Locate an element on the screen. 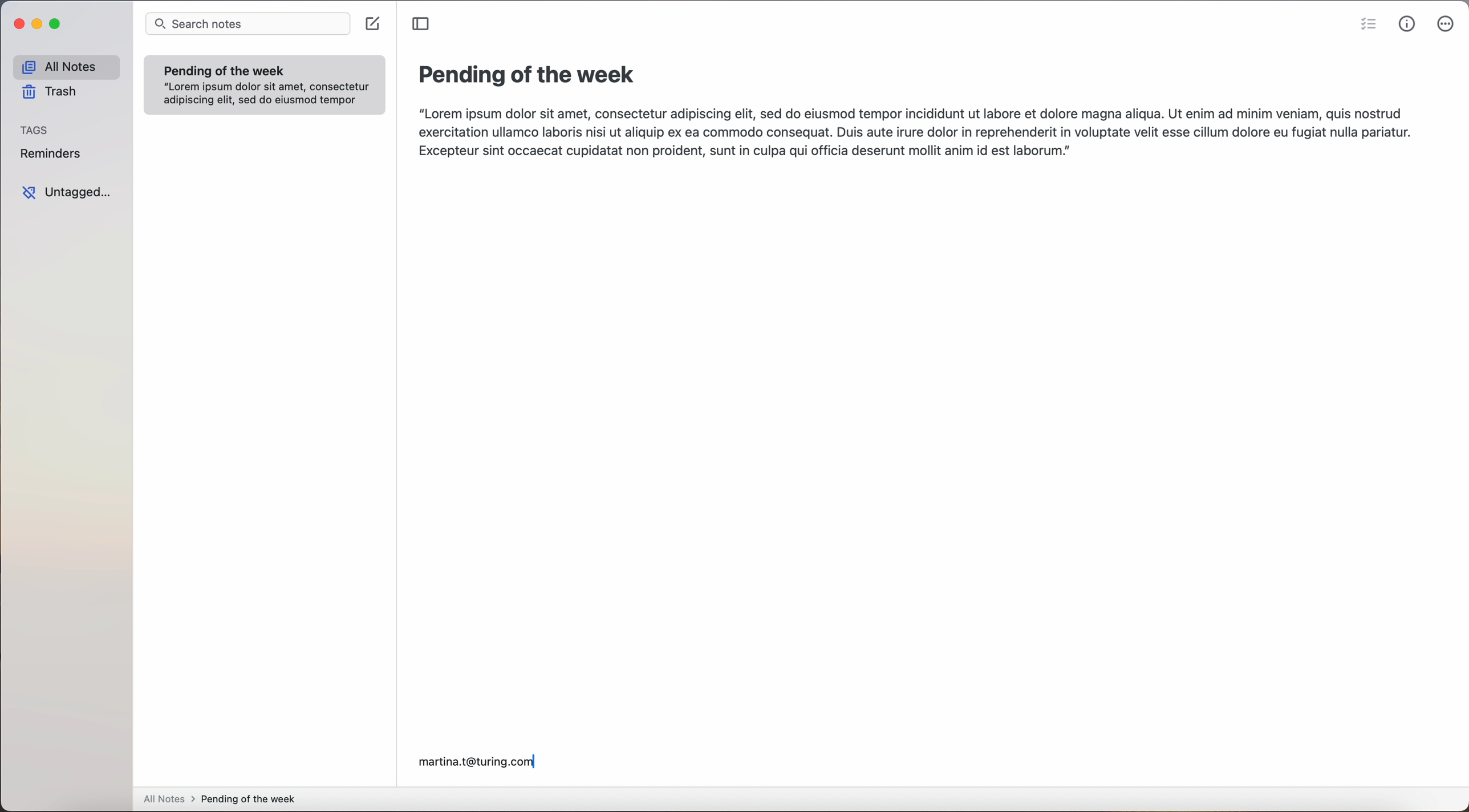  martina.t@turing.com| is located at coordinates (474, 762).